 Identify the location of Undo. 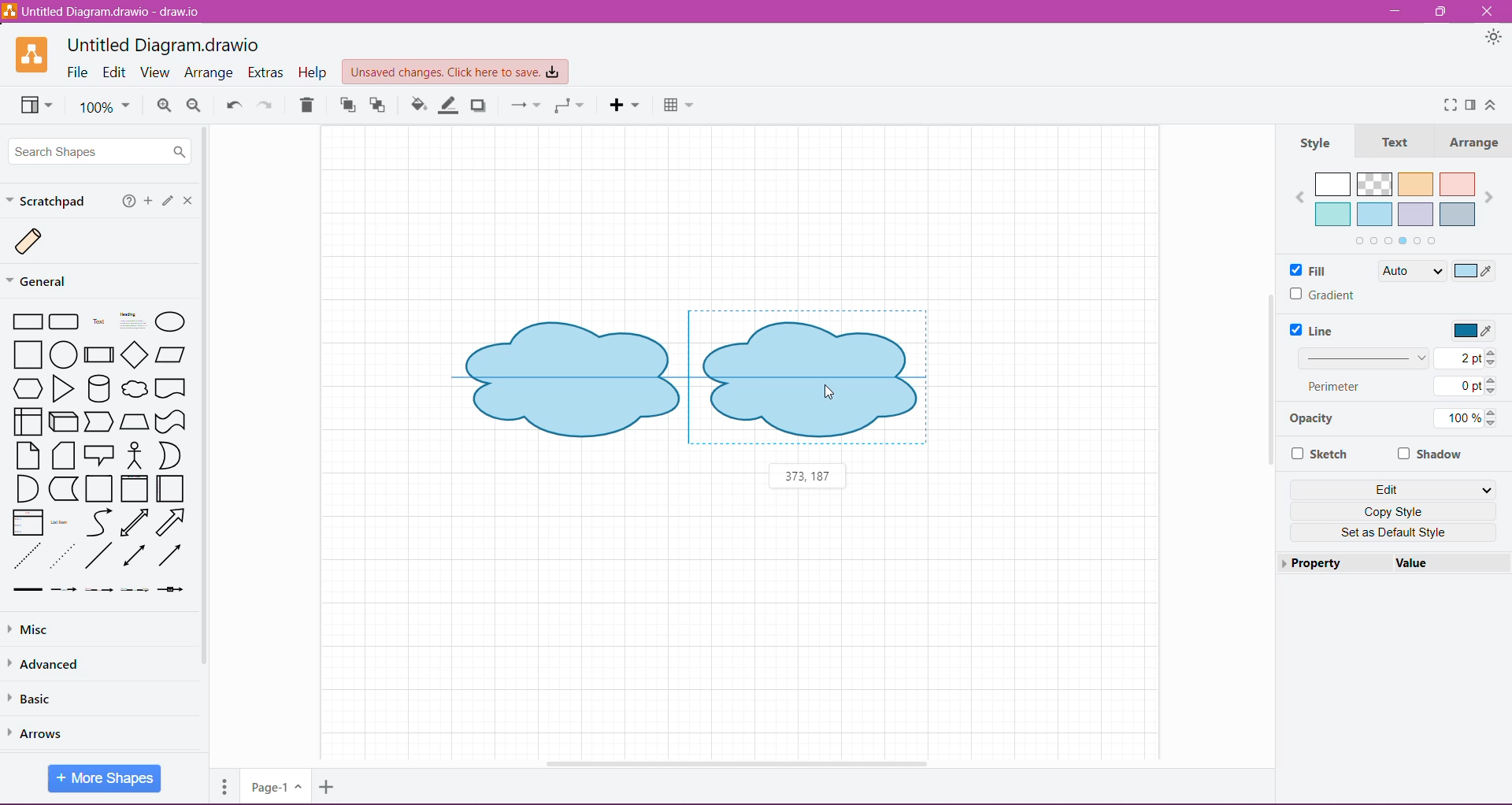
(234, 106).